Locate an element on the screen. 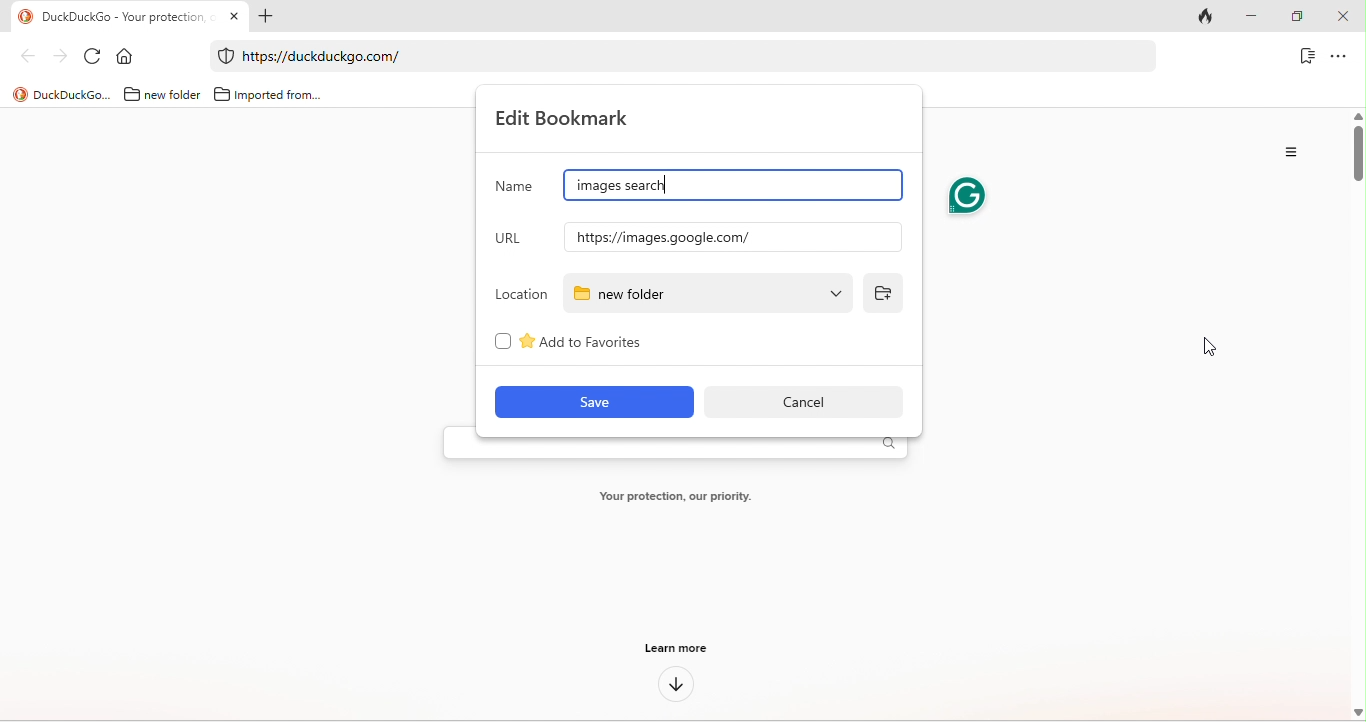 Image resolution: width=1366 pixels, height=722 pixels. add folder is located at coordinates (882, 290).